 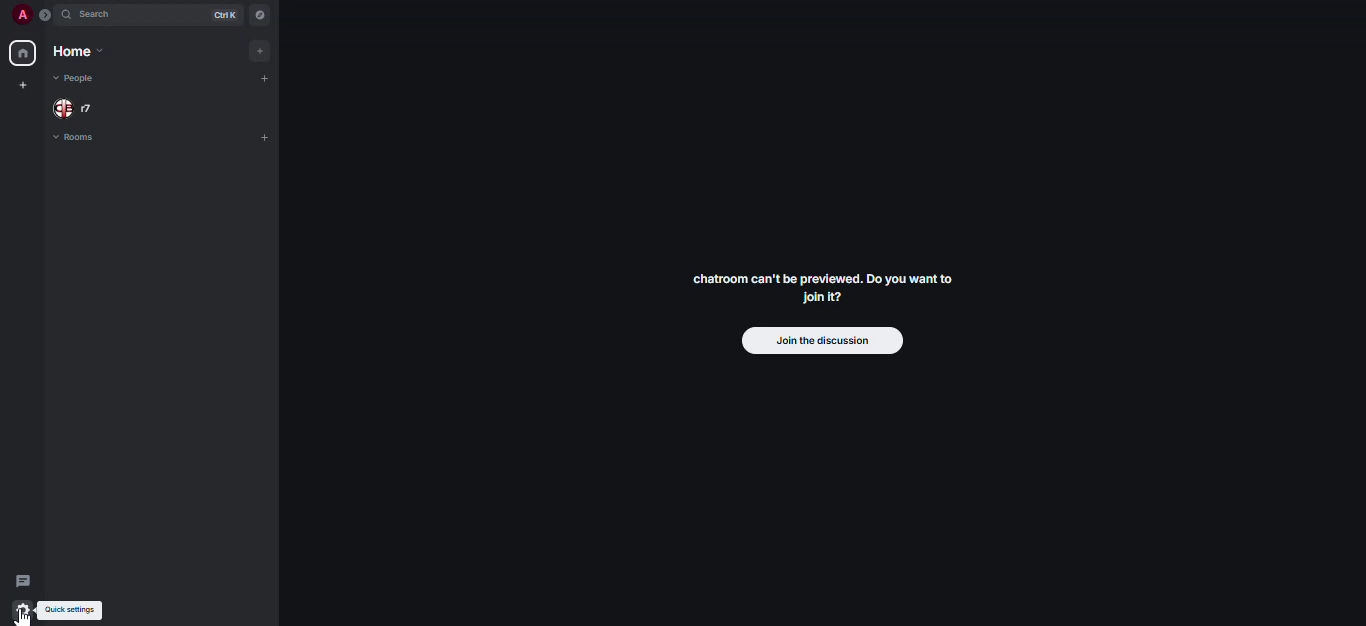 What do you see at coordinates (262, 14) in the screenshot?
I see `navigator` at bounding box center [262, 14].